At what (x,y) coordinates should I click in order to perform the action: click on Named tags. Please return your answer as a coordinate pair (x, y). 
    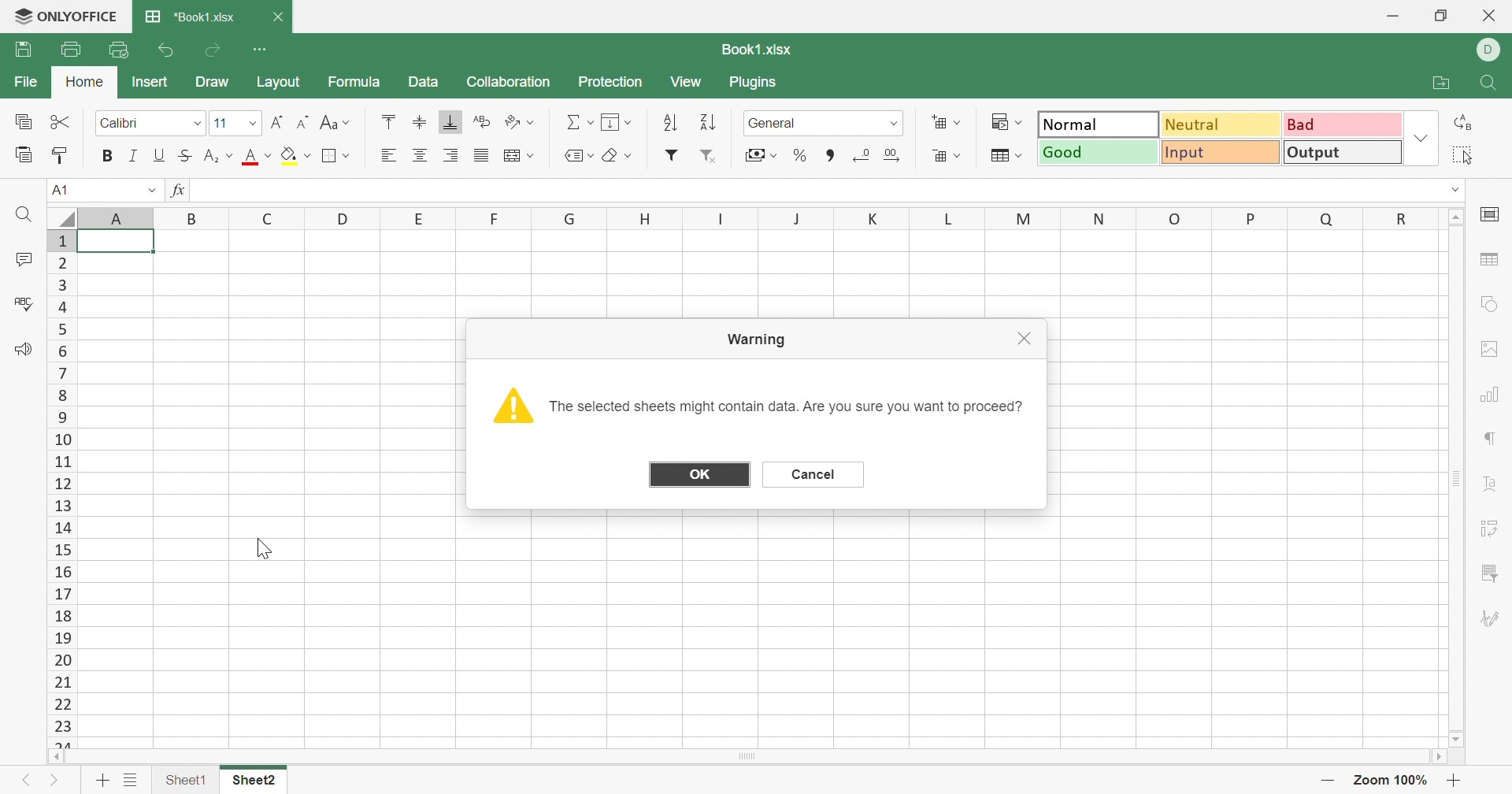
    Looking at the image, I should click on (566, 153).